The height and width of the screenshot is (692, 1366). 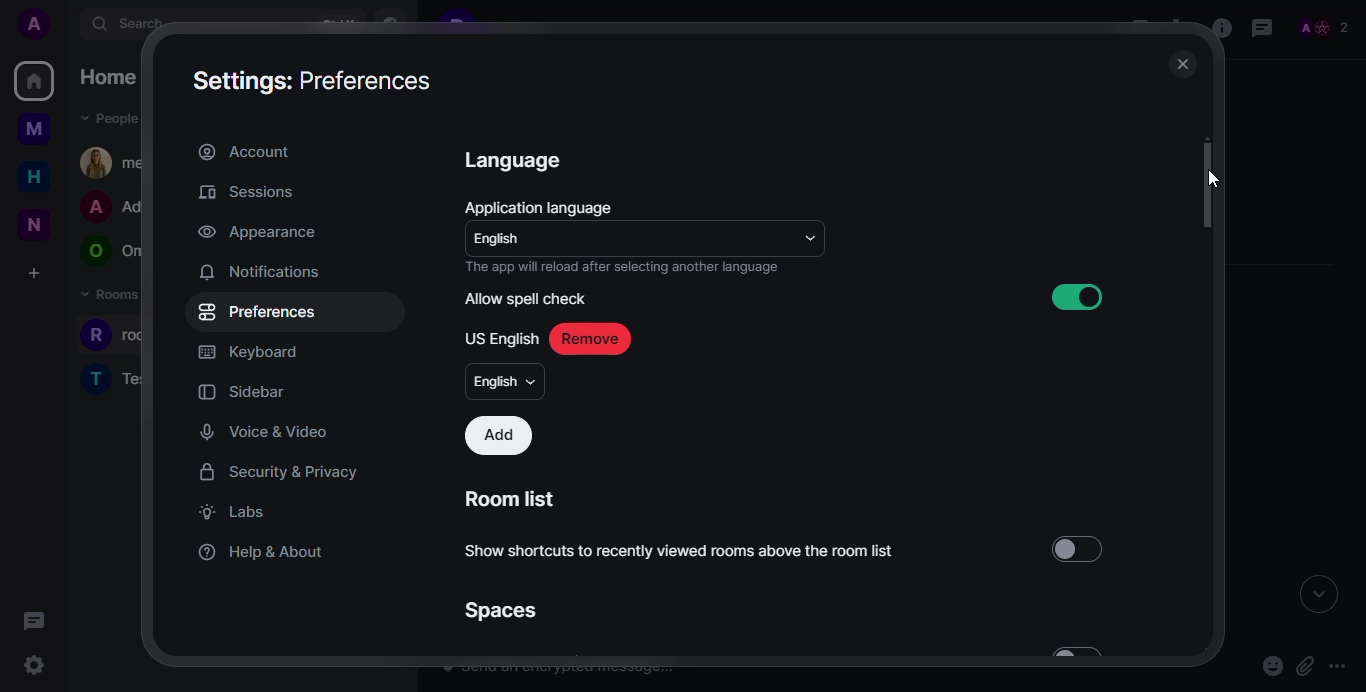 I want to click on security, so click(x=279, y=472).